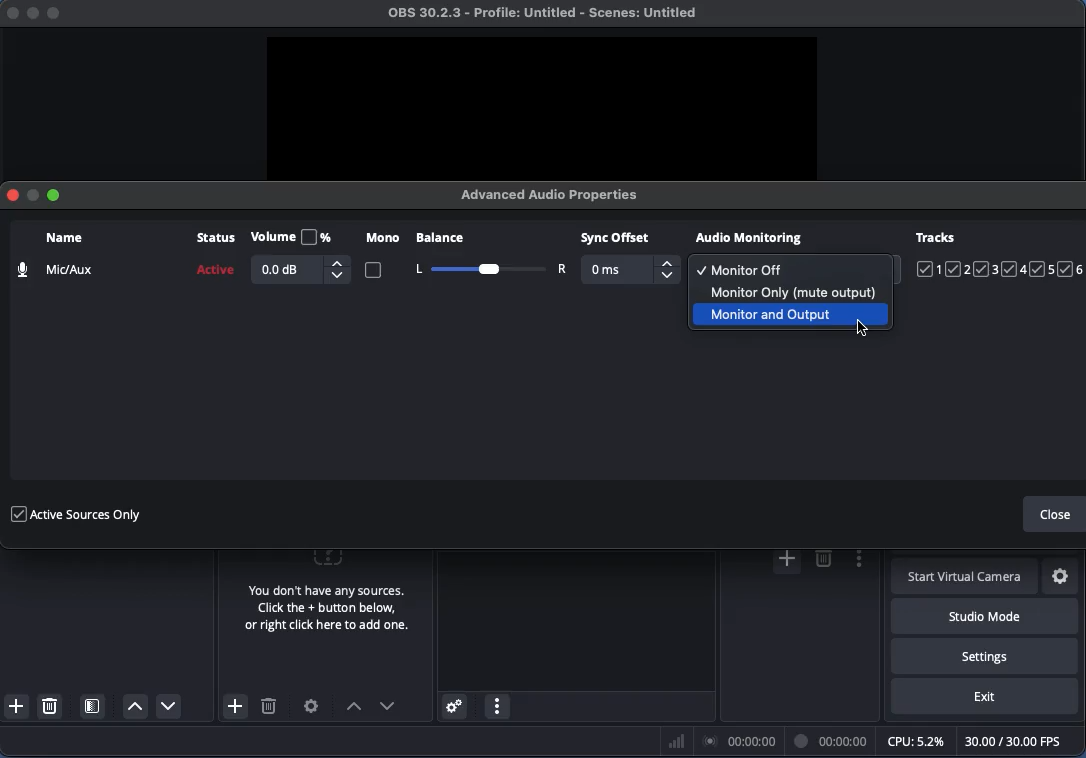 This screenshot has width=1086, height=758. Describe the element at coordinates (985, 655) in the screenshot. I see `Settings` at that location.